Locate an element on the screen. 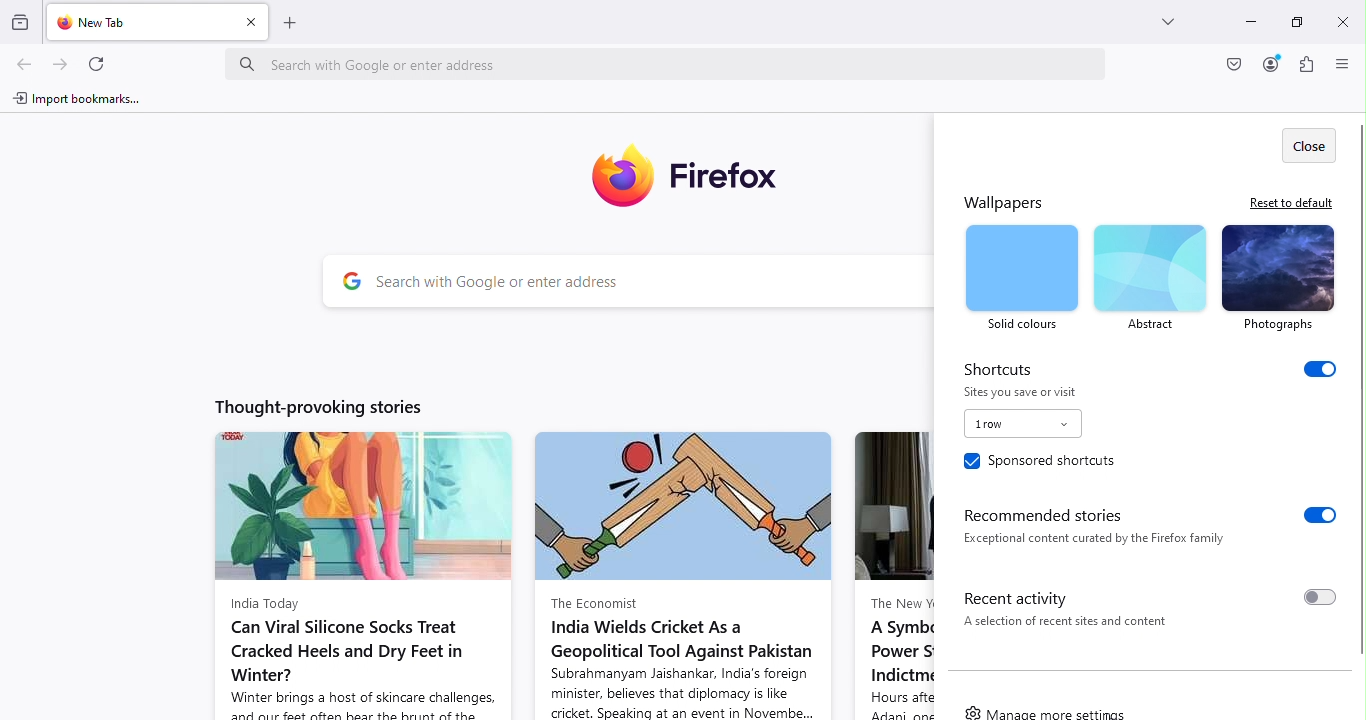  Wallpapers is located at coordinates (1001, 202).